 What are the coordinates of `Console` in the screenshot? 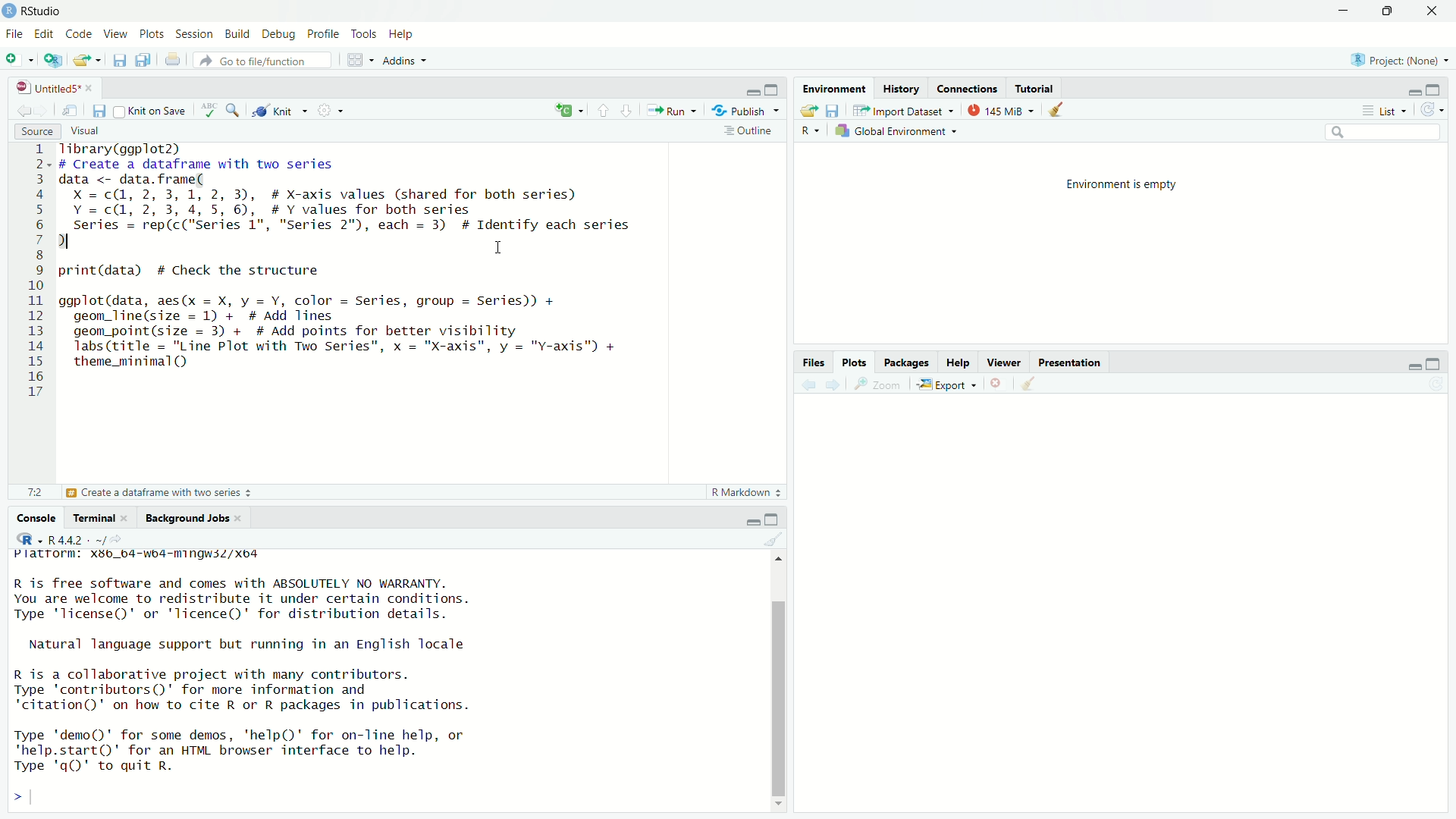 It's located at (36, 517).